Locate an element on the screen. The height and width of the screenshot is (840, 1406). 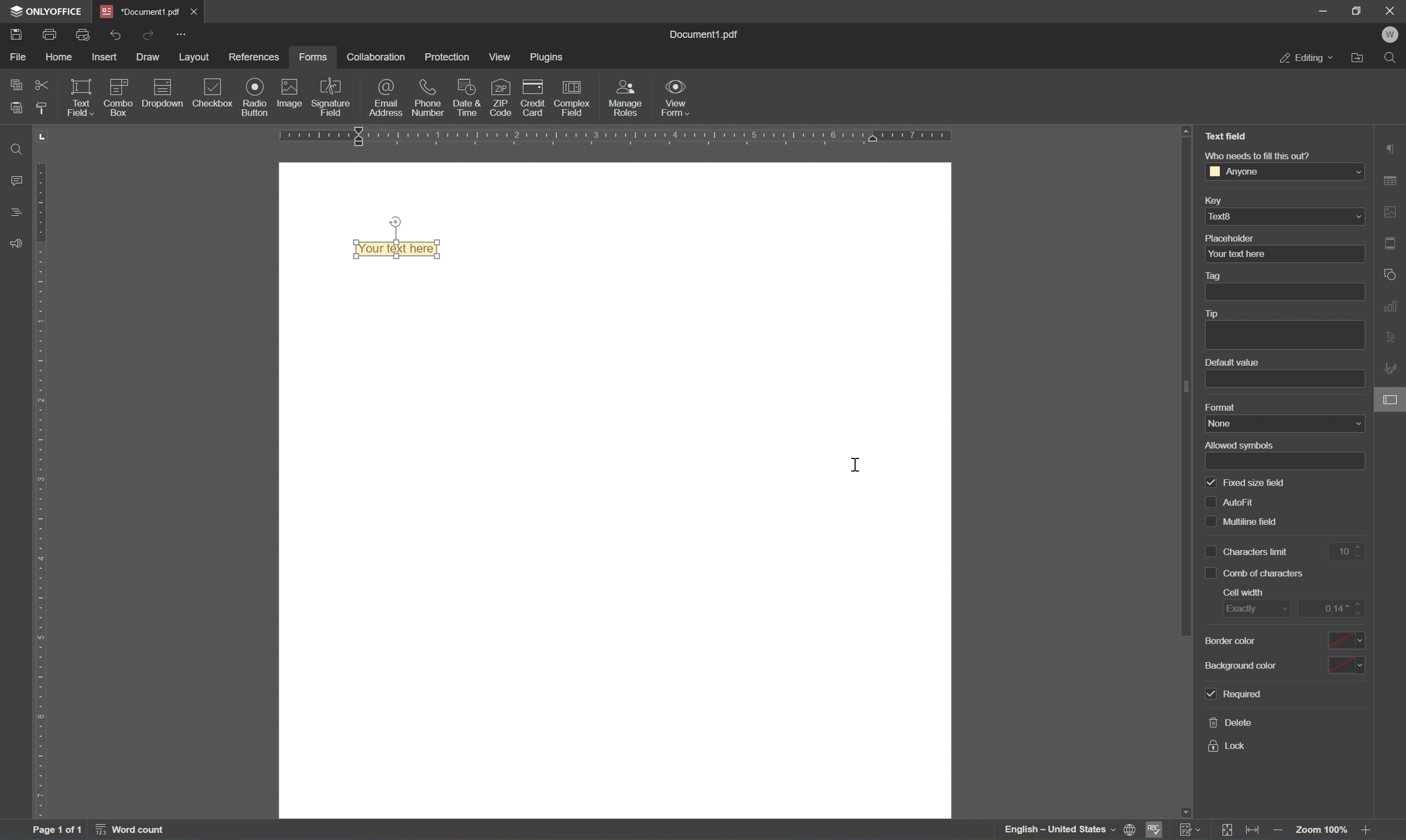
auto fill is located at coordinates (1255, 503).